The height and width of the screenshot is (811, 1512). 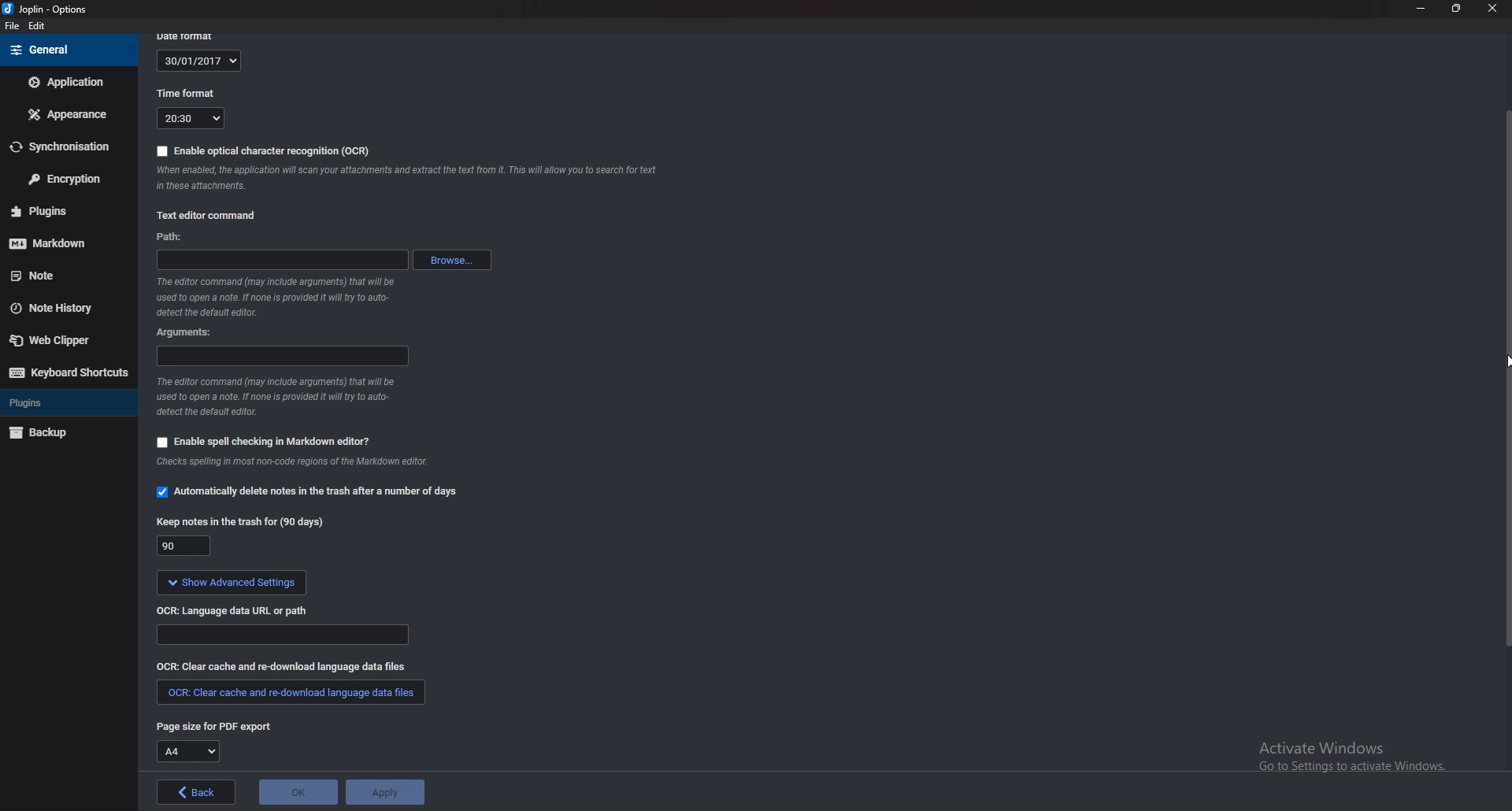 What do you see at coordinates (195, 792) in the screenshot?
I see `back` at bounding box center [195, 792].